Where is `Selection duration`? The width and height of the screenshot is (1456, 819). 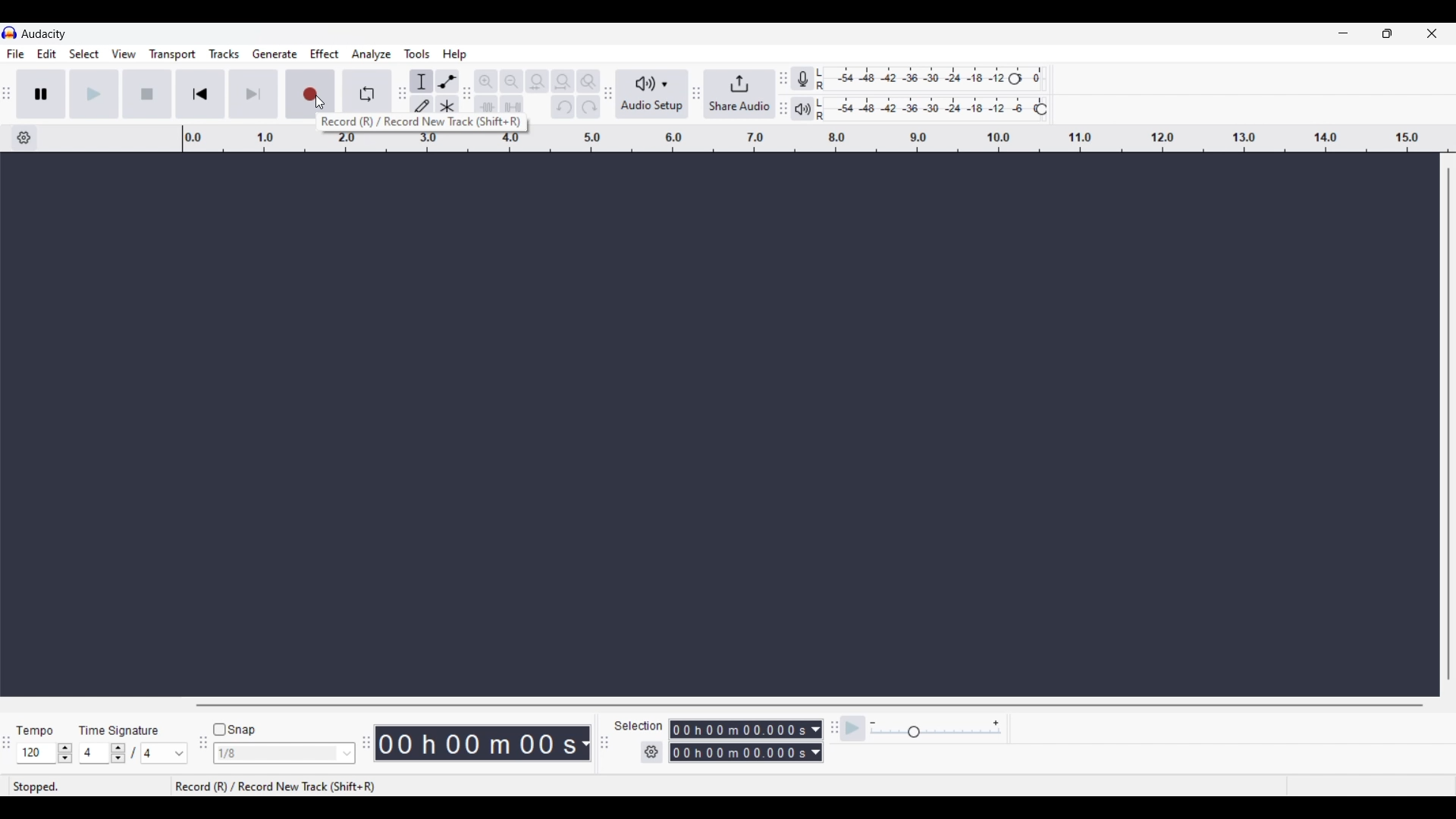 Selection duration is located at coordinates (739, 742).